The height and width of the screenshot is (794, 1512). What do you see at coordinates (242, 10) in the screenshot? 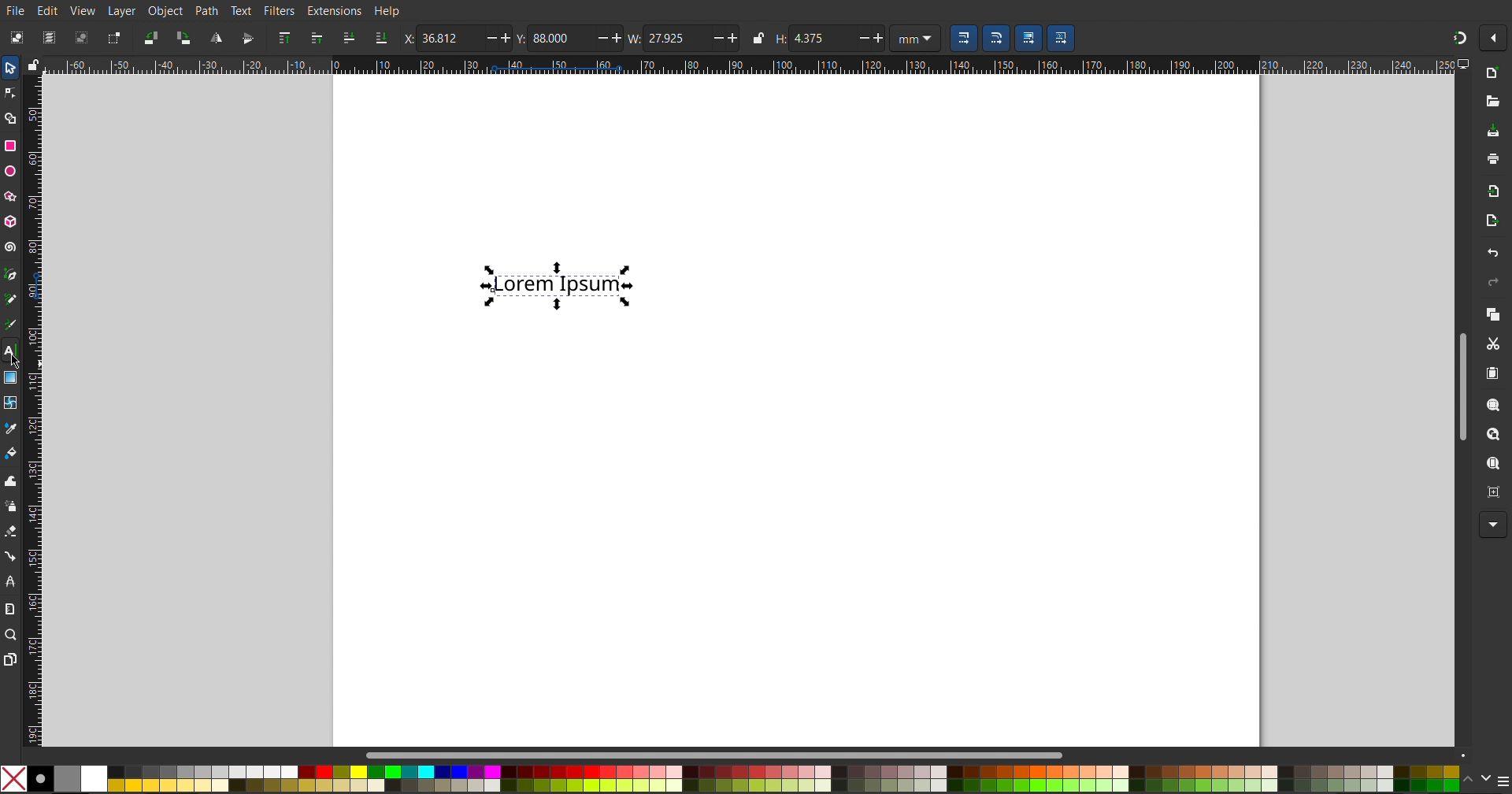
I see `Text` at bounding box center [242, 10].